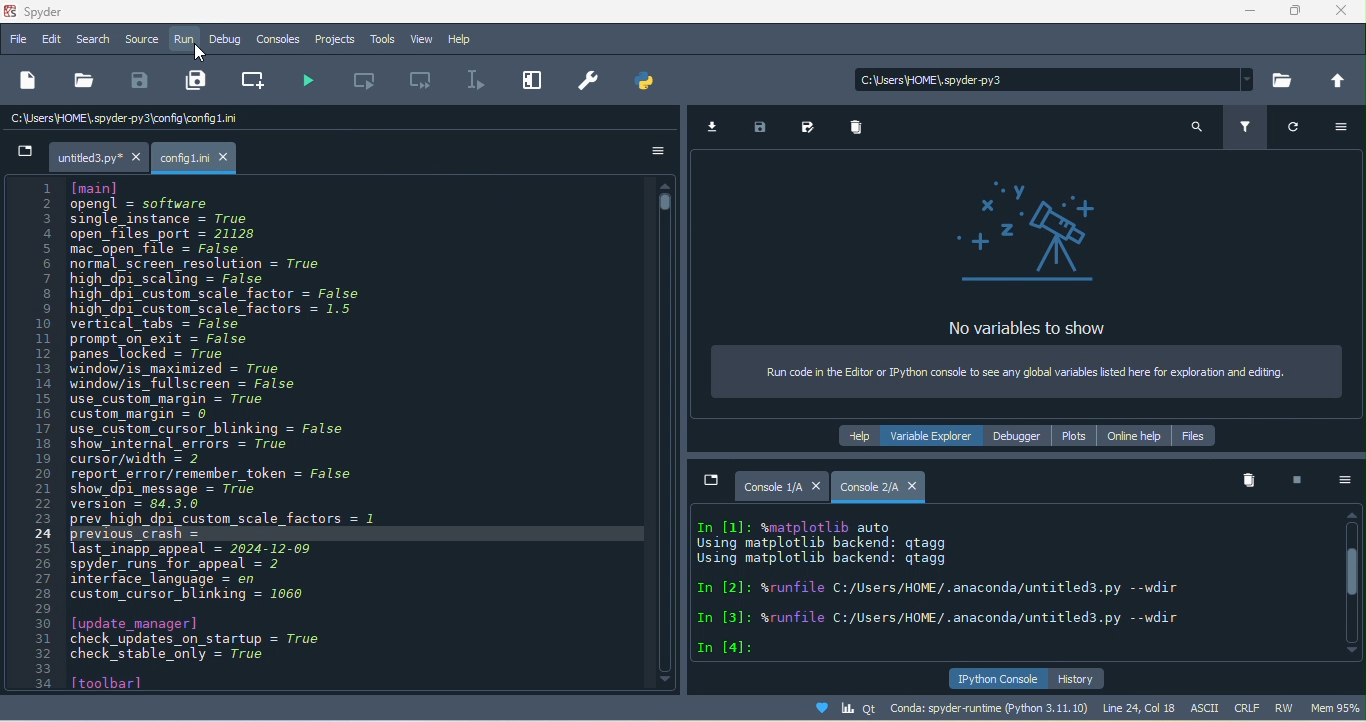 The image size is (1366, 722). Describe the element at coordinates (1294, 131) in the screenshot. I see `refresh` at that location.